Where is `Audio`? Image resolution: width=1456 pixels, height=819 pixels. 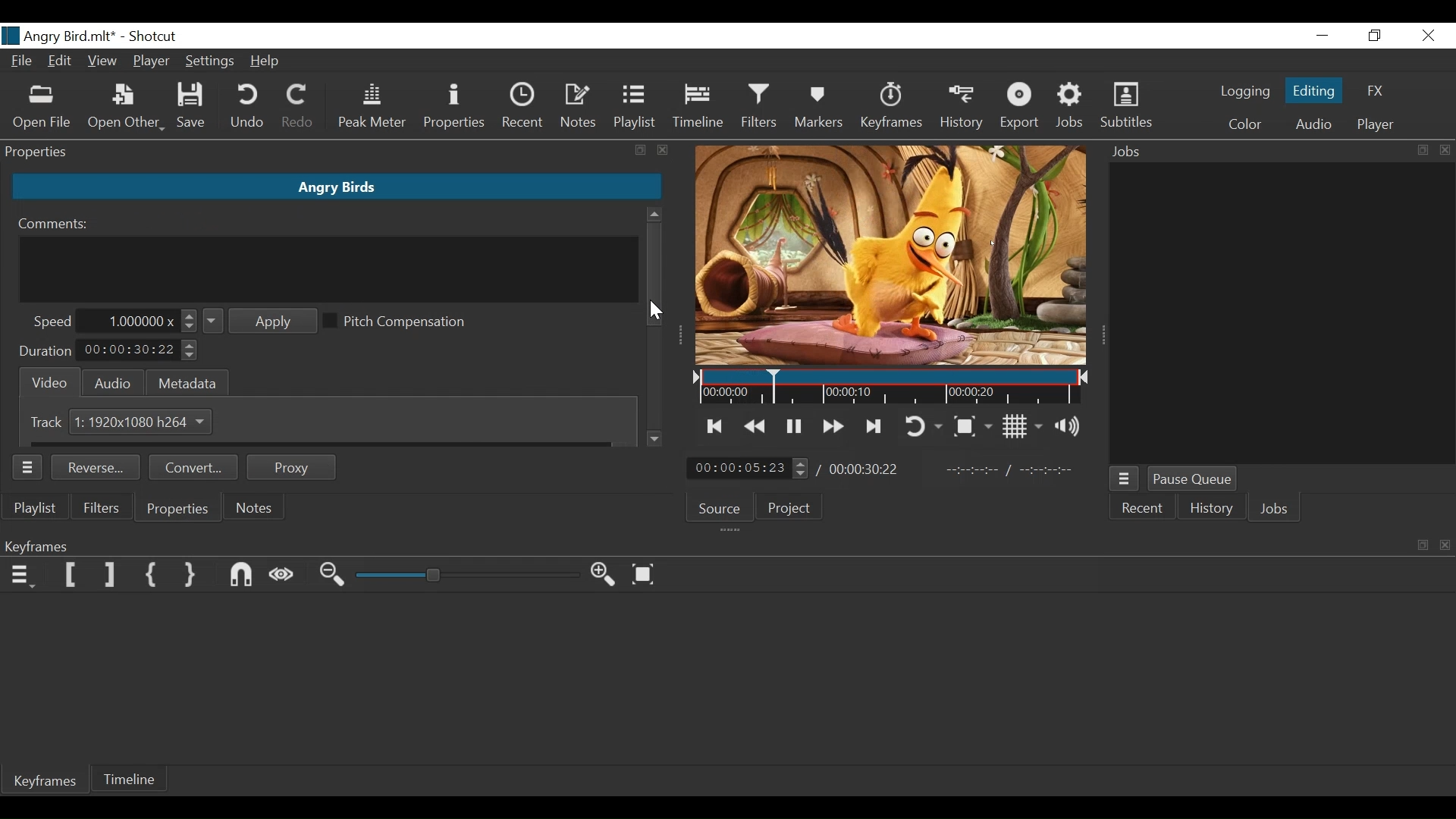
Audio is located at coordinates (1311, 124).